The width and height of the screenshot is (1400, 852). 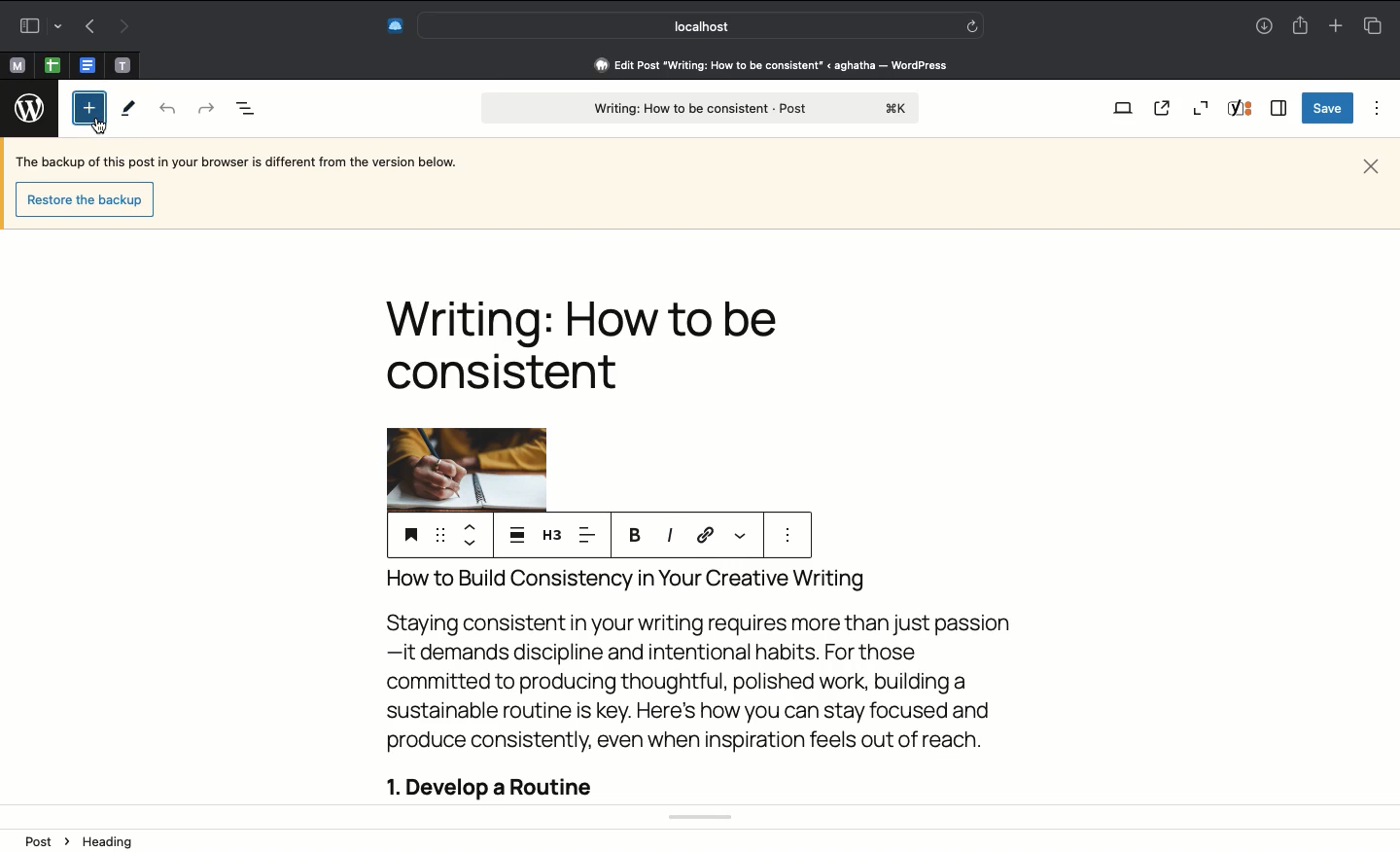 What do you see at coordinates (589, 535) in the screenshot?
I see `Align` at bounding box center [589, 535].